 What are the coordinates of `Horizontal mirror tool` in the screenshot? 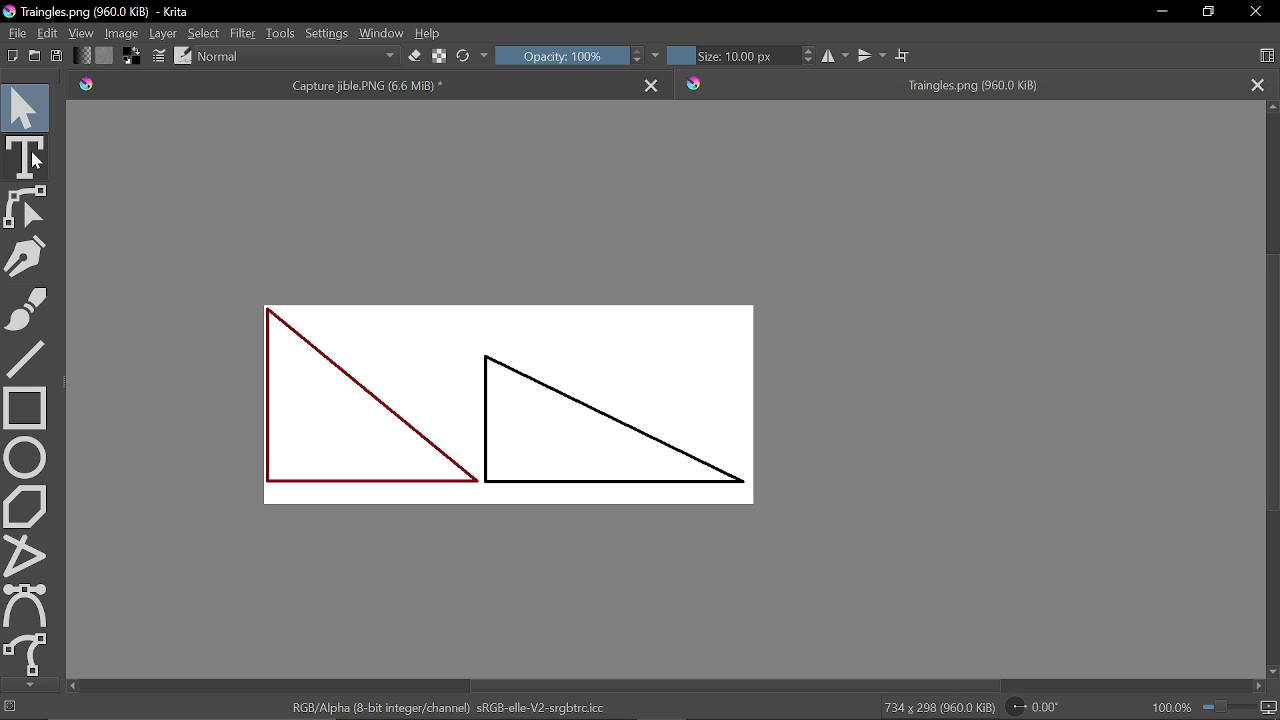 It's located at (834, 56).